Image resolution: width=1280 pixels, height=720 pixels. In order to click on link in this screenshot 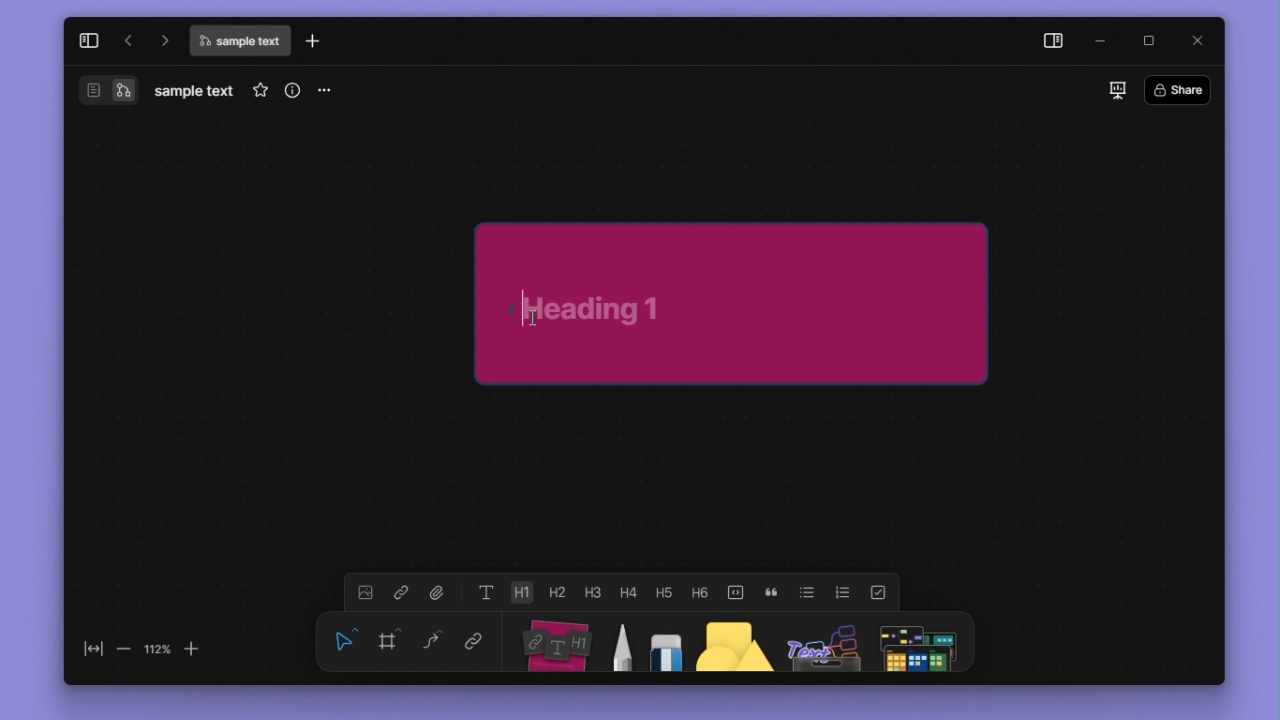, I will do `click(474, 639)`.